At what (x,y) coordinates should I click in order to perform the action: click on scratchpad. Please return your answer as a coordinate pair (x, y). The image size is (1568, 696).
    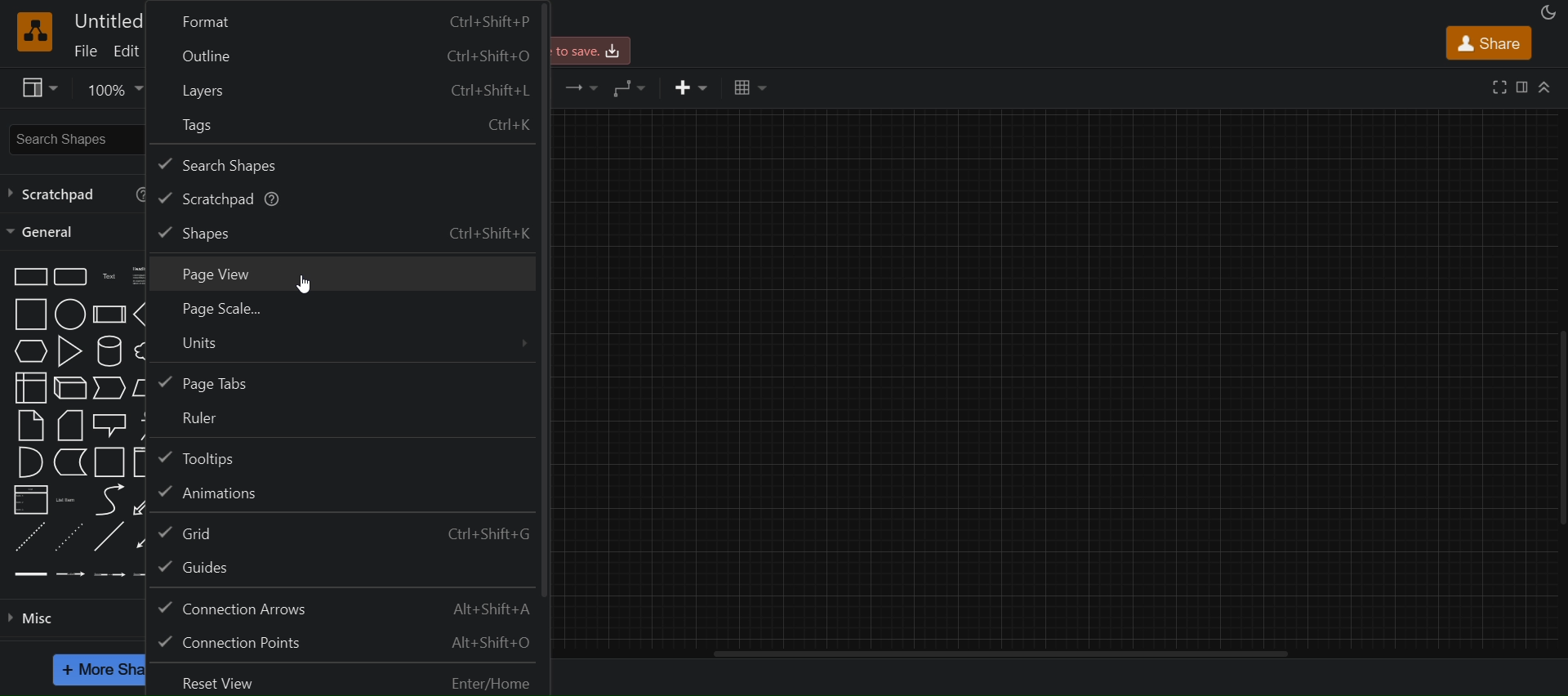
    Looking at the image, I should click on (344, 196).